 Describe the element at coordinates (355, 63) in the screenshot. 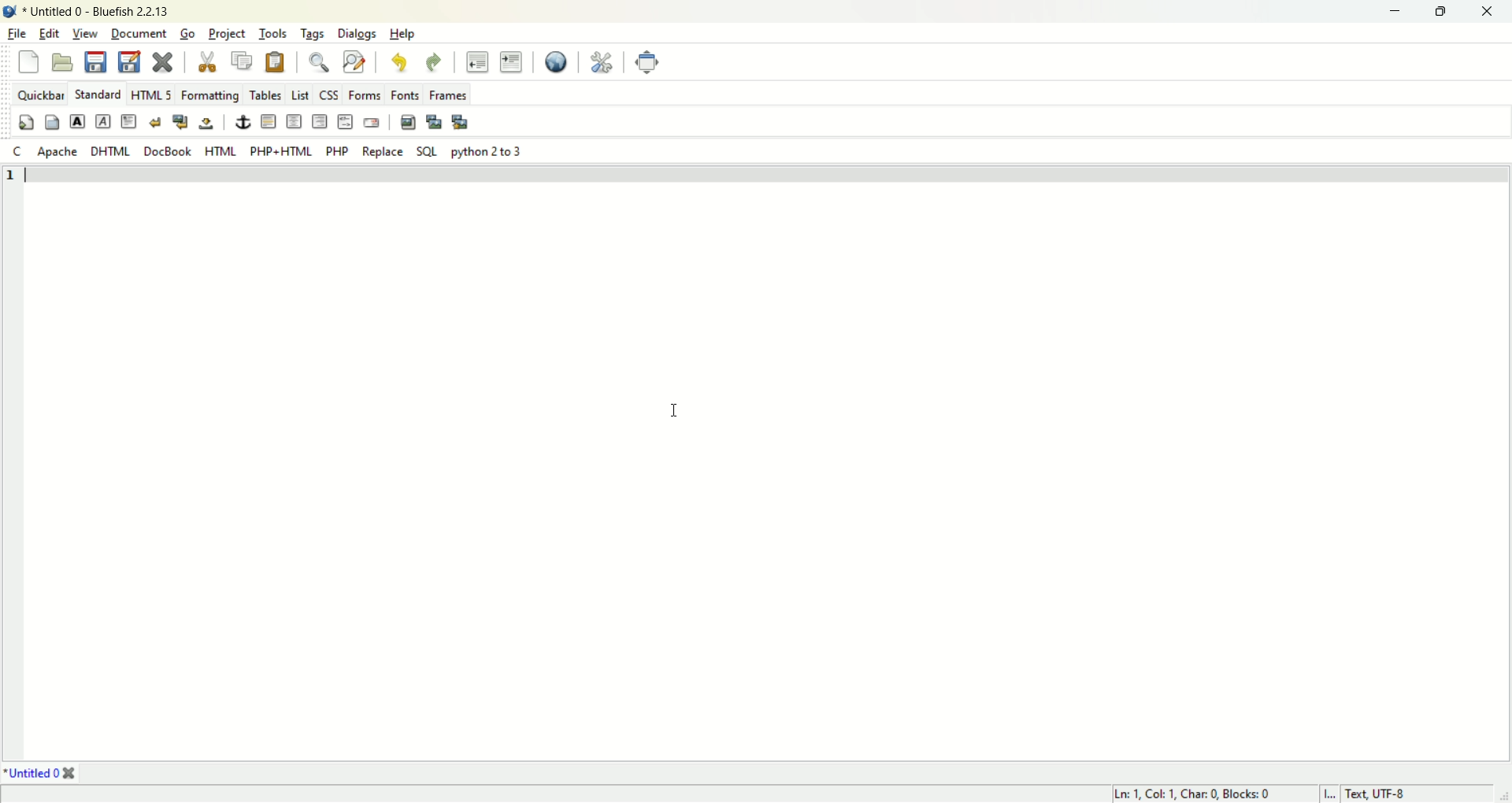

I see `find and replace` at that location.